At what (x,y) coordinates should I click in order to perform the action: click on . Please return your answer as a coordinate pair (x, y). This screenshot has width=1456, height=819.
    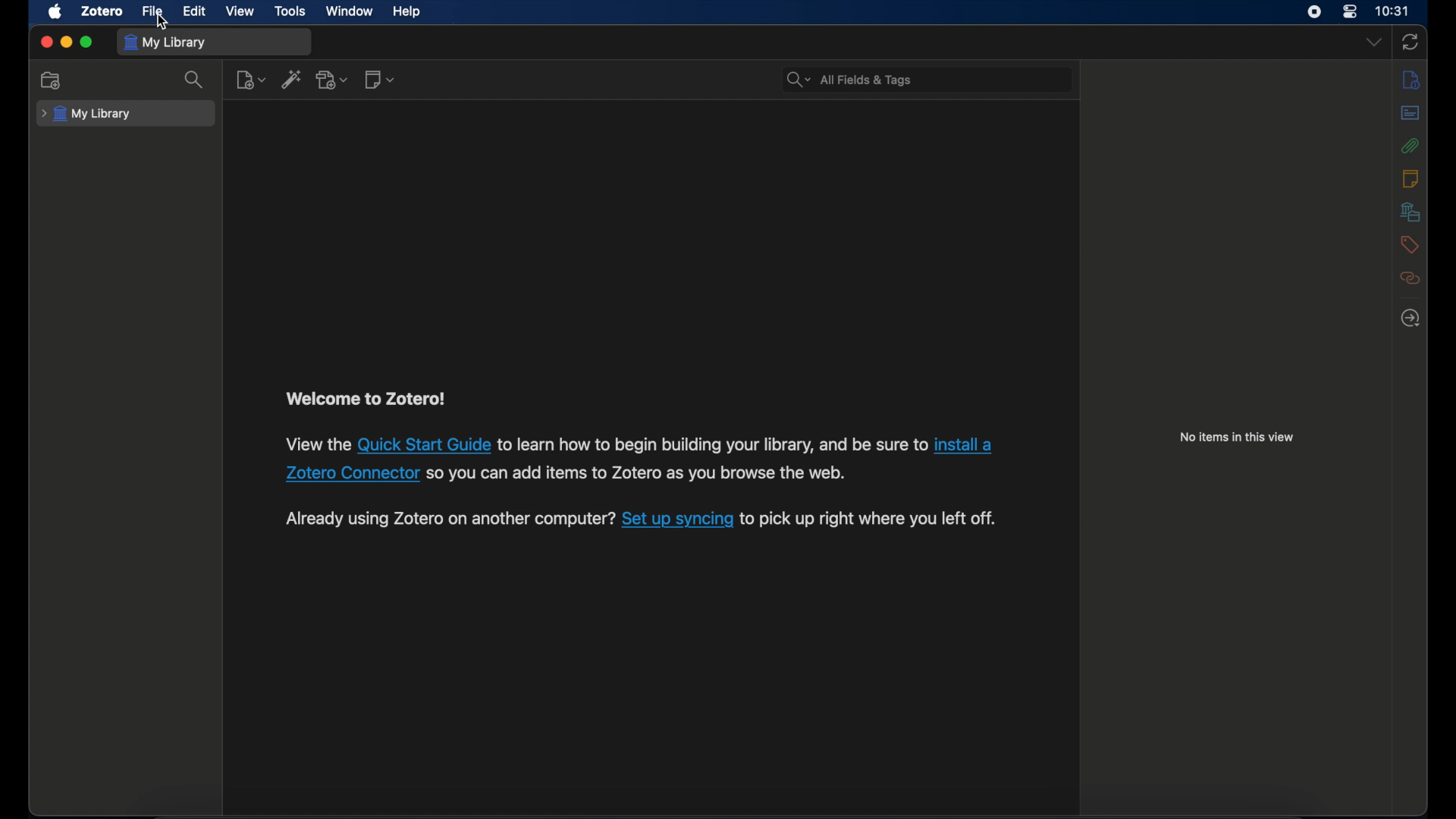
    Looking at the image, I should click on (962, 447).